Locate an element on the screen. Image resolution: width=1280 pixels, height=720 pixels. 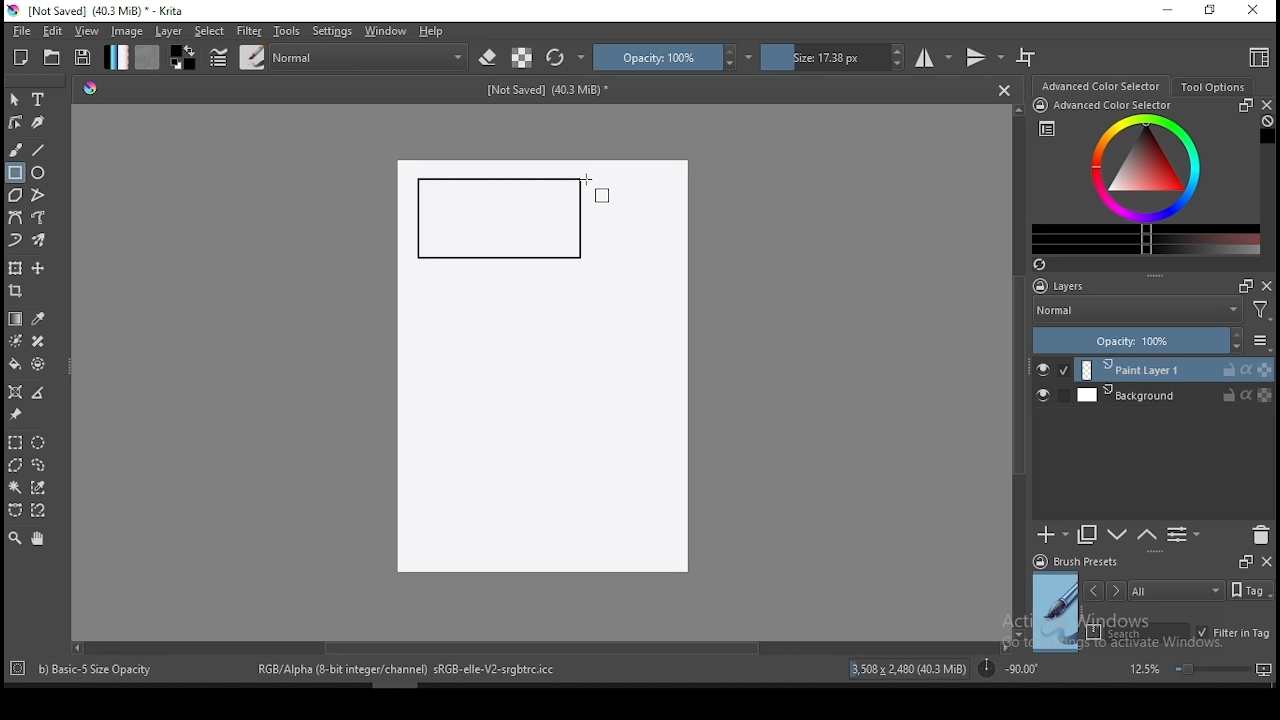
restore is located at coordinates (1214, 11).